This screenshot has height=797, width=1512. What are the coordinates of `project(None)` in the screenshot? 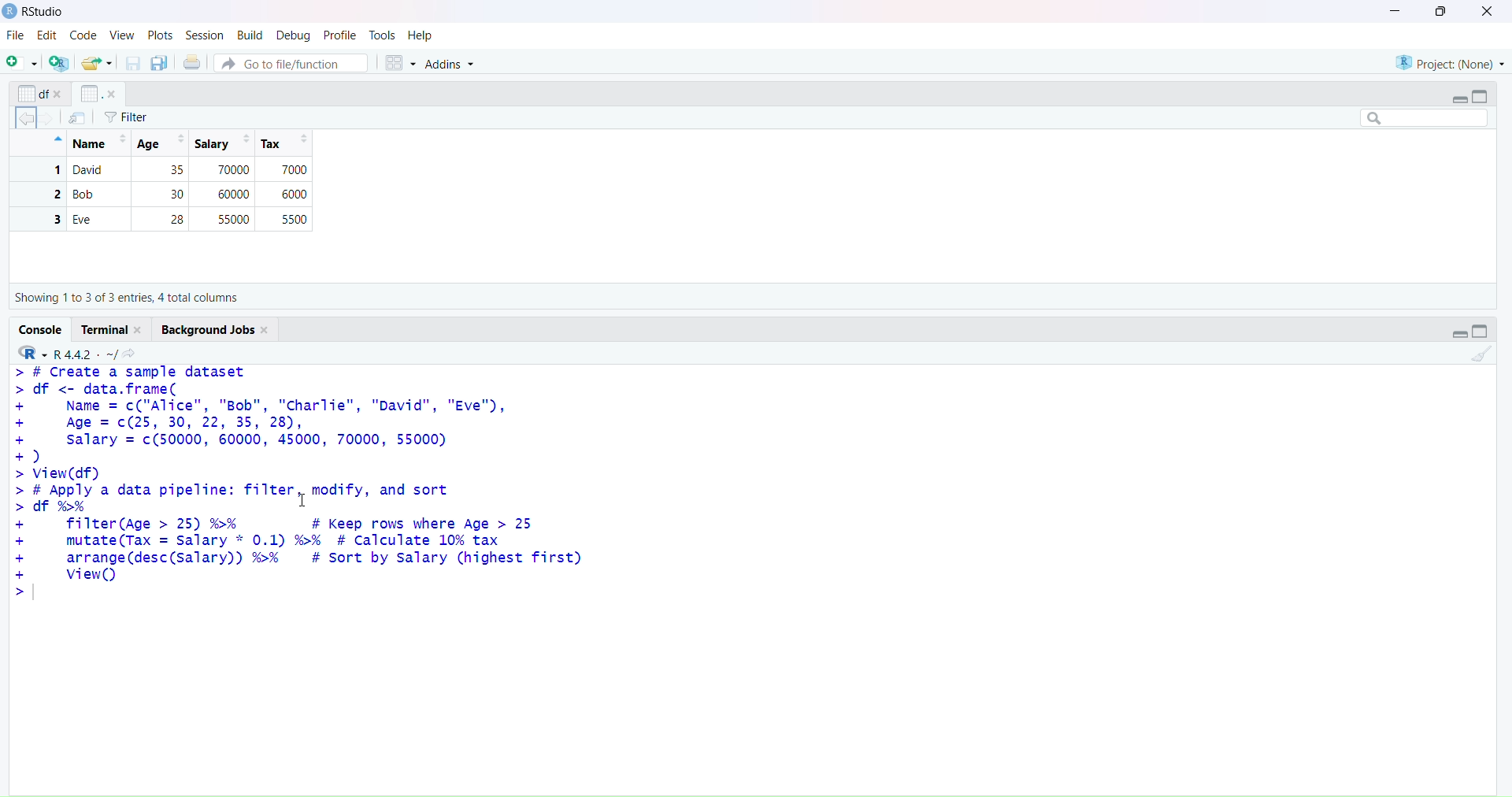 It's located at (1449, 61).